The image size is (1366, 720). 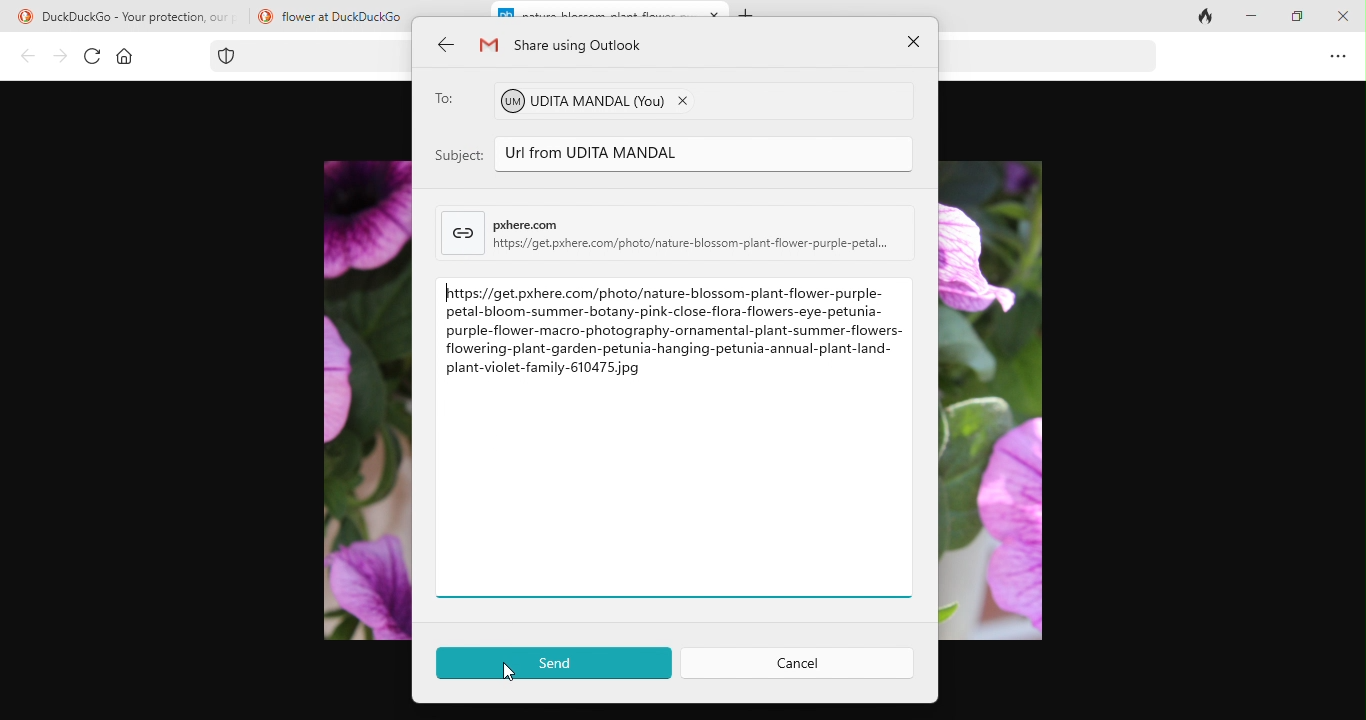 I want to click on close tab and clear data, so click(x=1196, y=19).